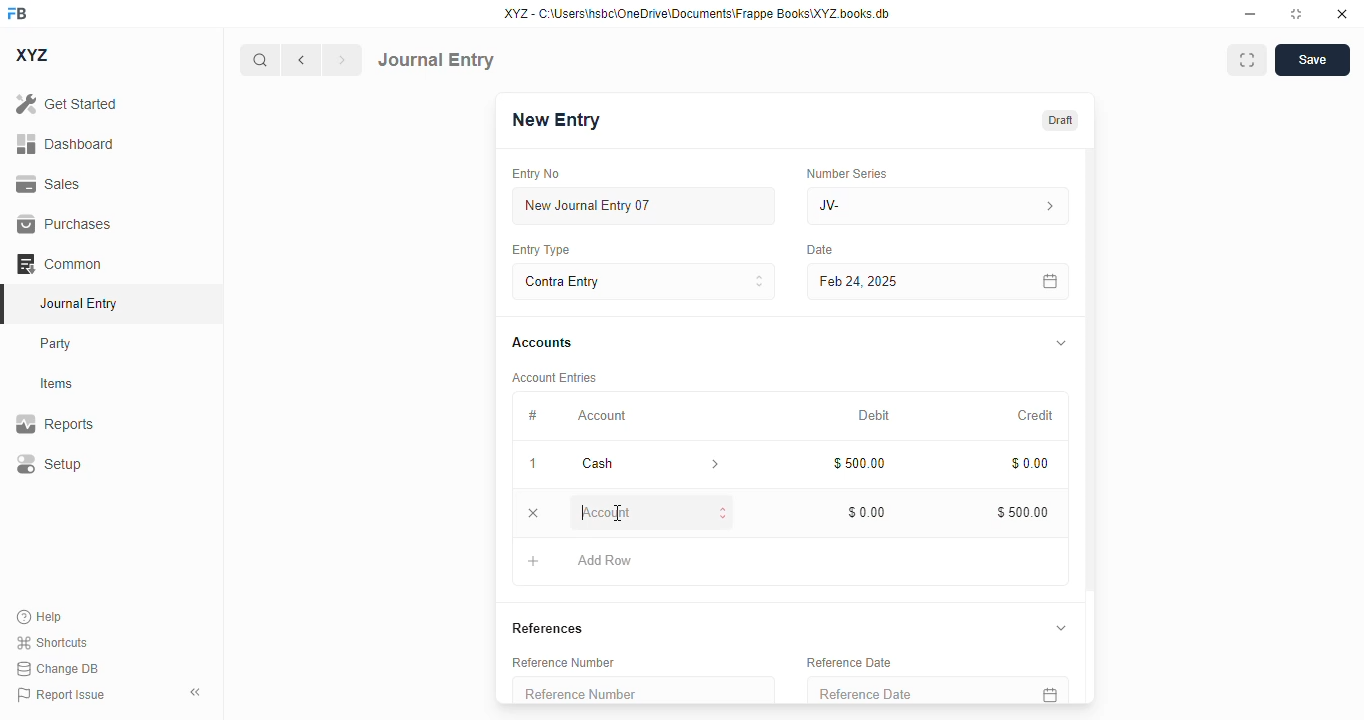 The image size is (1364, 720). Describe the element at coordinates (548, 628) in the screenshot. I see `references` at that location.